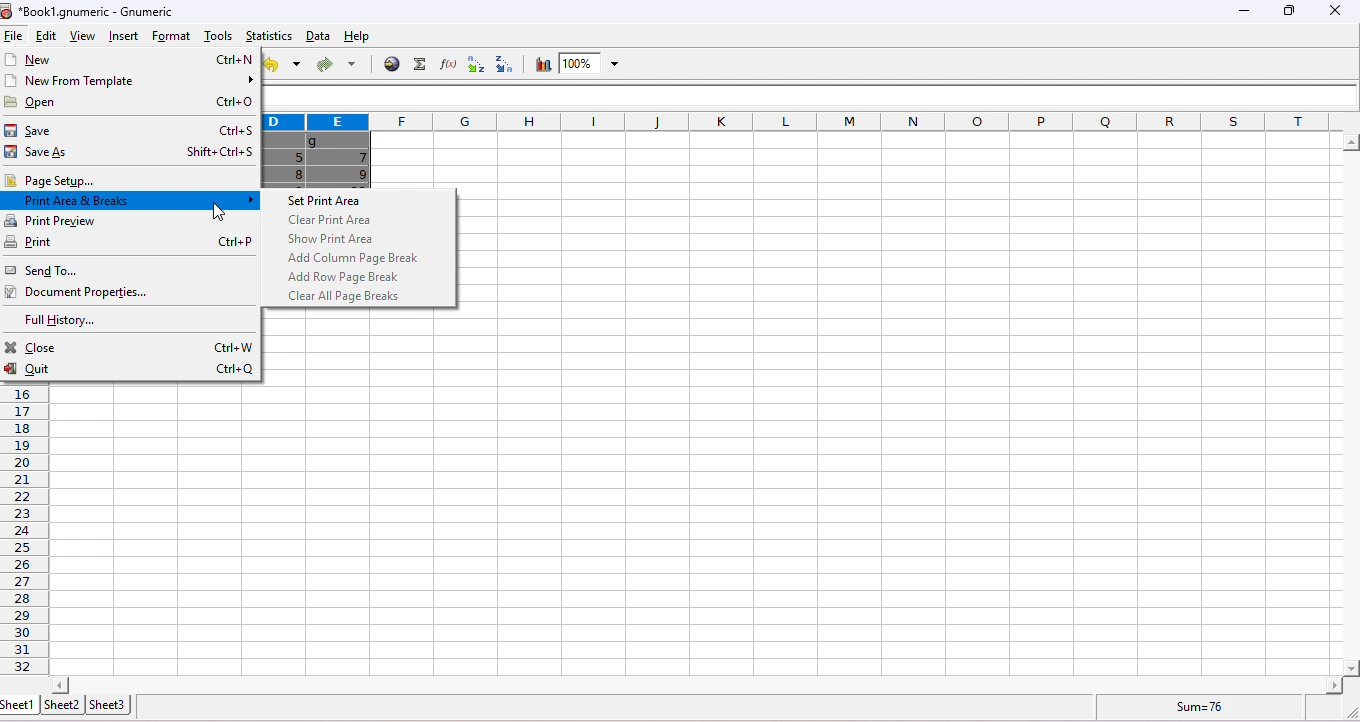 Image resolution: width=1360 pixels, height=722 pixels. Describe the element at coordinates (365, 38) in the screenshot. I see `help` at that location.